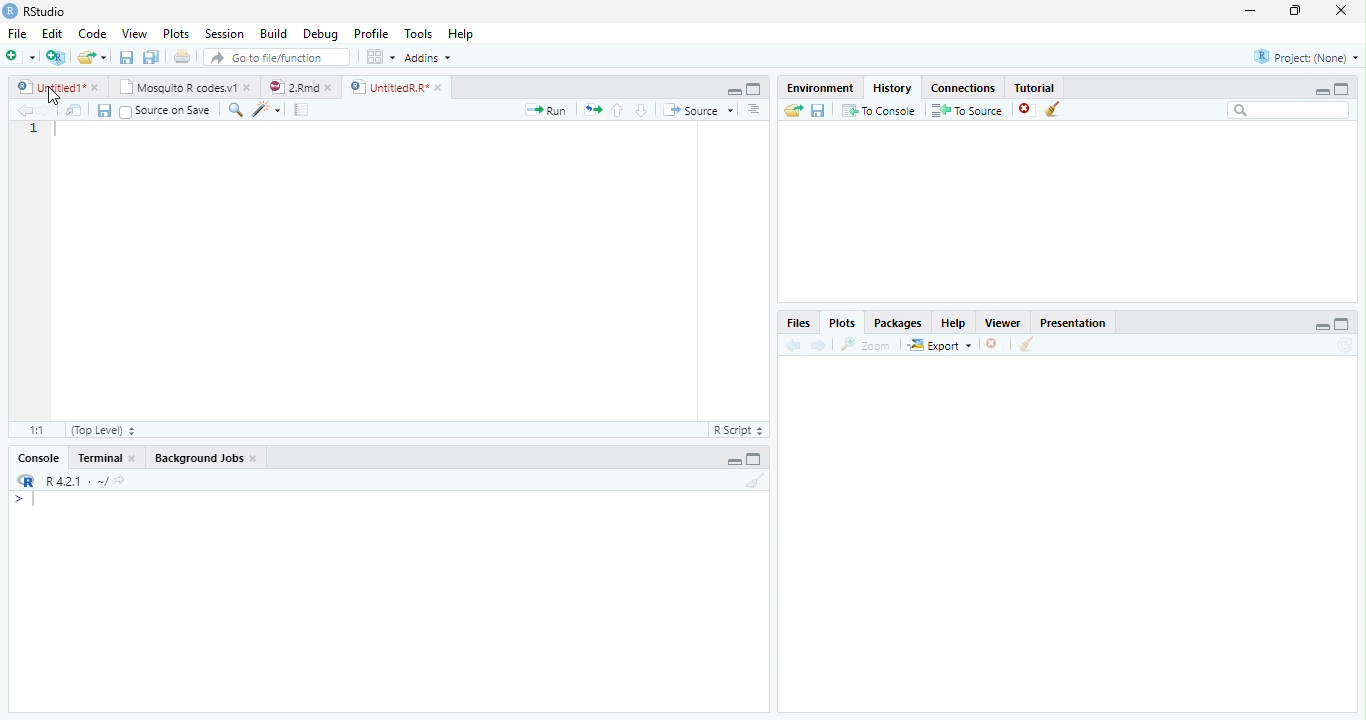 Image resolution: width=1366 pixels, height=720 pixels. Describe the element at coordinates (793, 113) in the screenshot. I see `Load workspace` at that location.